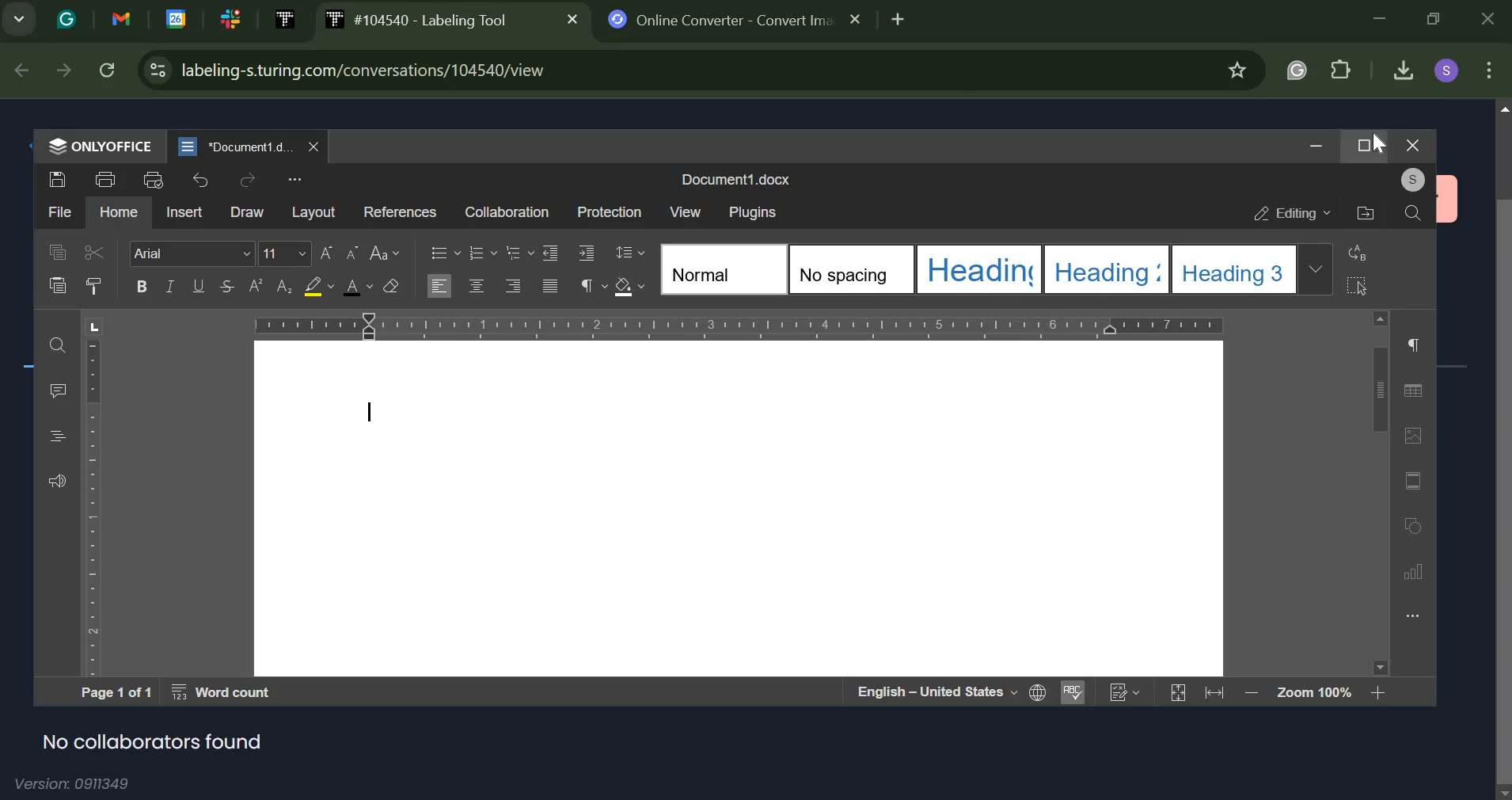 The image size is (1512, 800). Describe the element at coordinates (1355, 286) in the screenshot. I see `select` at that location.